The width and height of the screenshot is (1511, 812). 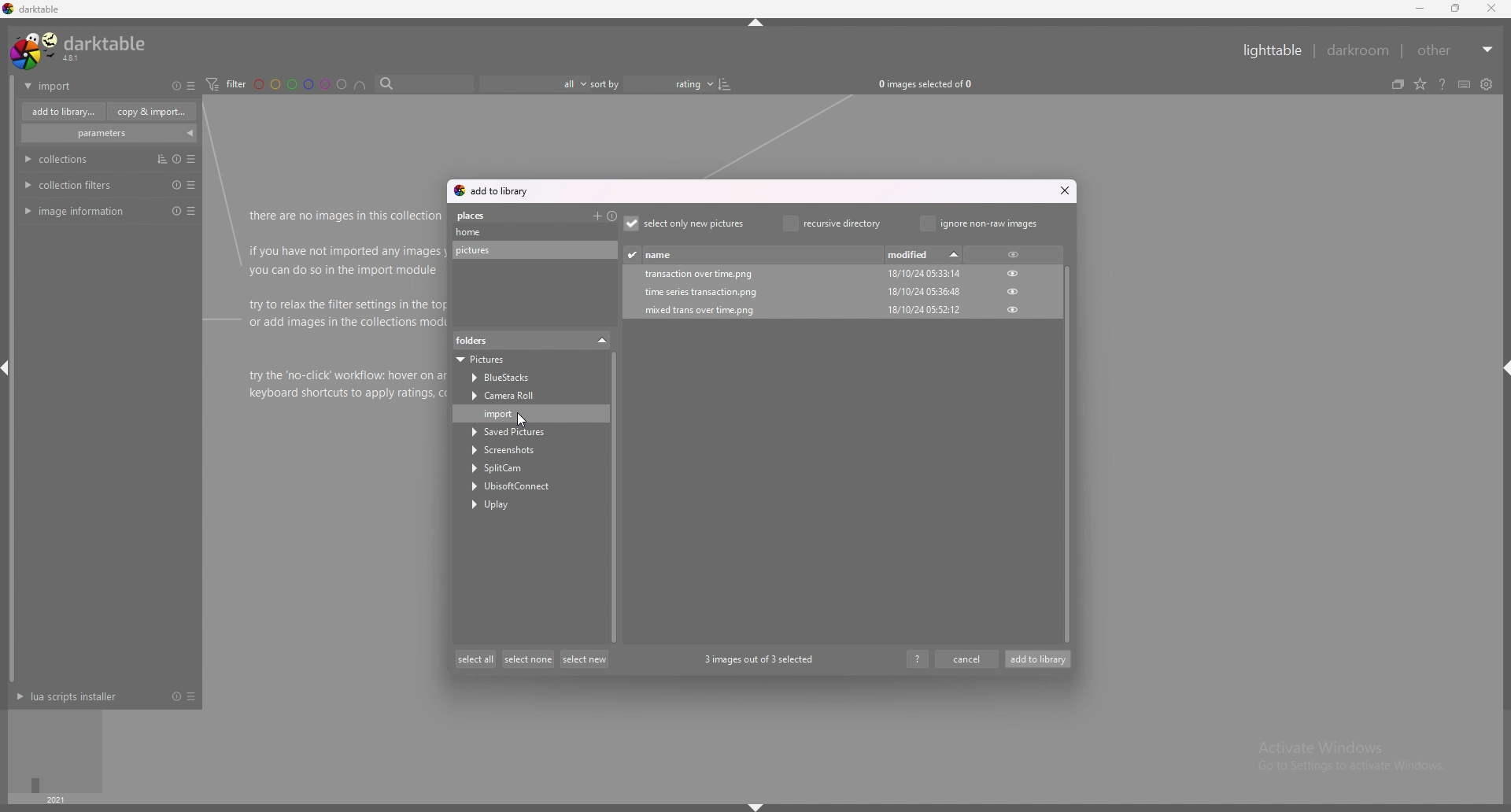 I want to click on reserve sort order, so click(x=726, y=83).